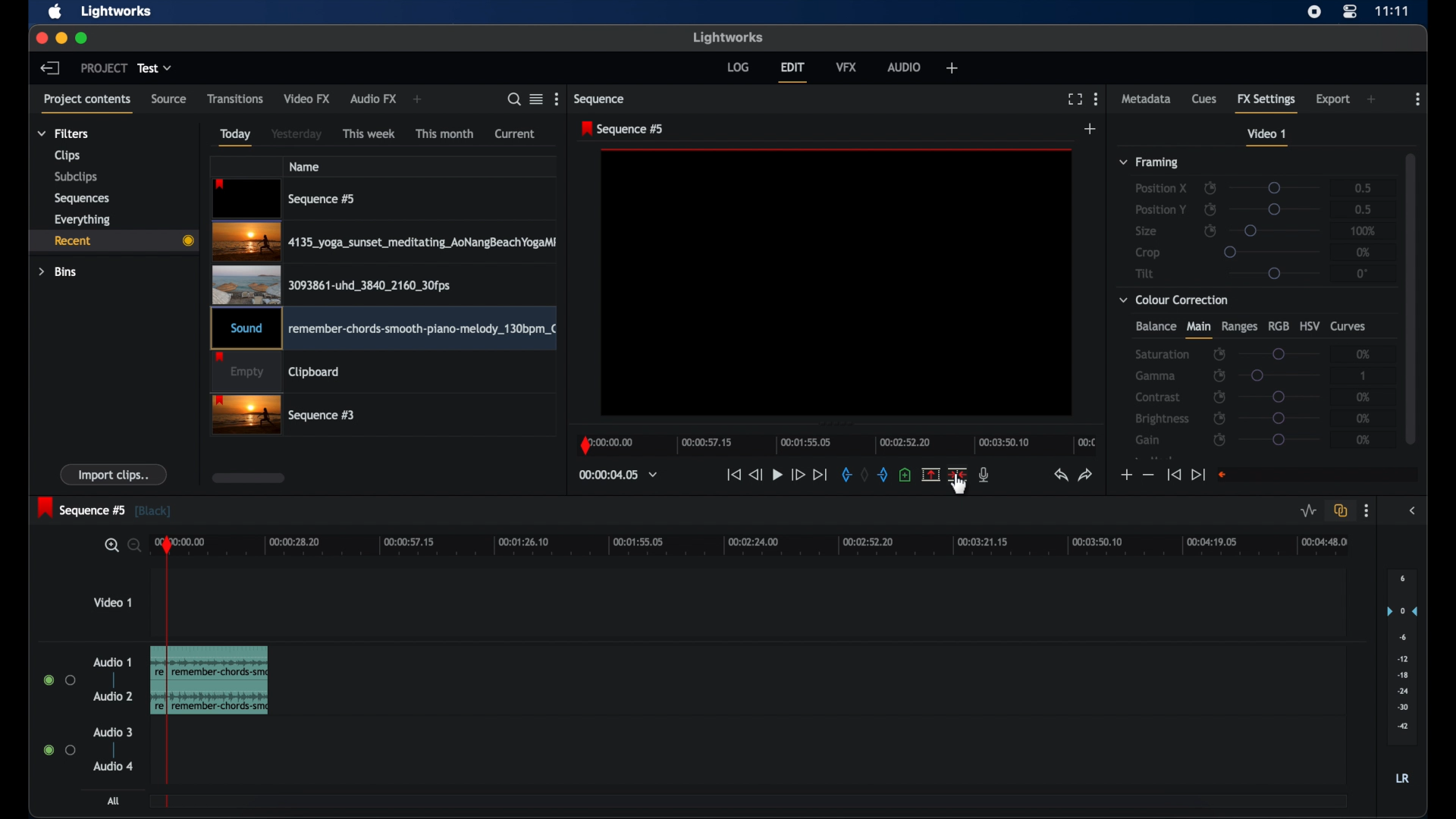  I want to click on 0.5, so click(1357, 187).